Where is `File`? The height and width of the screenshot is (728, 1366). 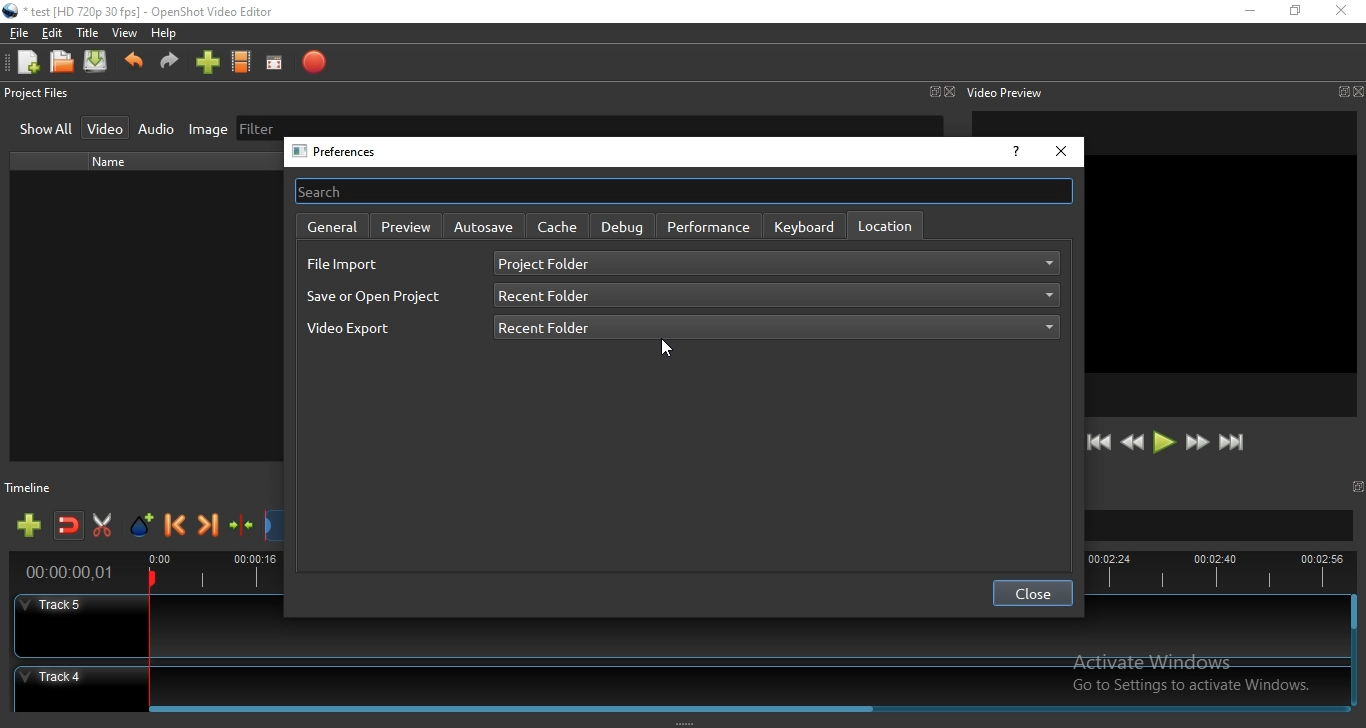 File is located at coordinates (16, 33).